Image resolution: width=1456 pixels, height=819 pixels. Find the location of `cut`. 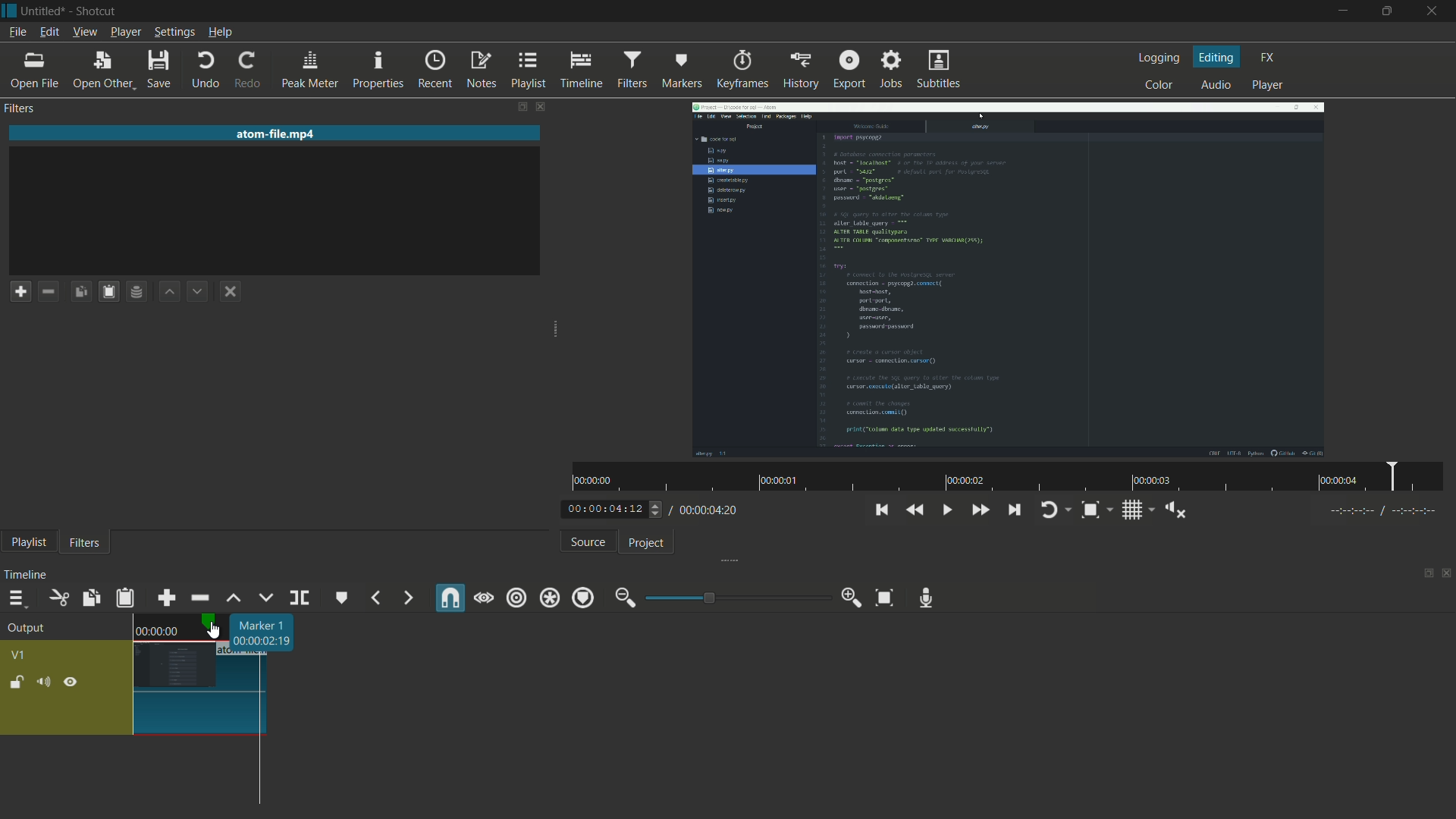

cut is located at coordinates (56, 599).